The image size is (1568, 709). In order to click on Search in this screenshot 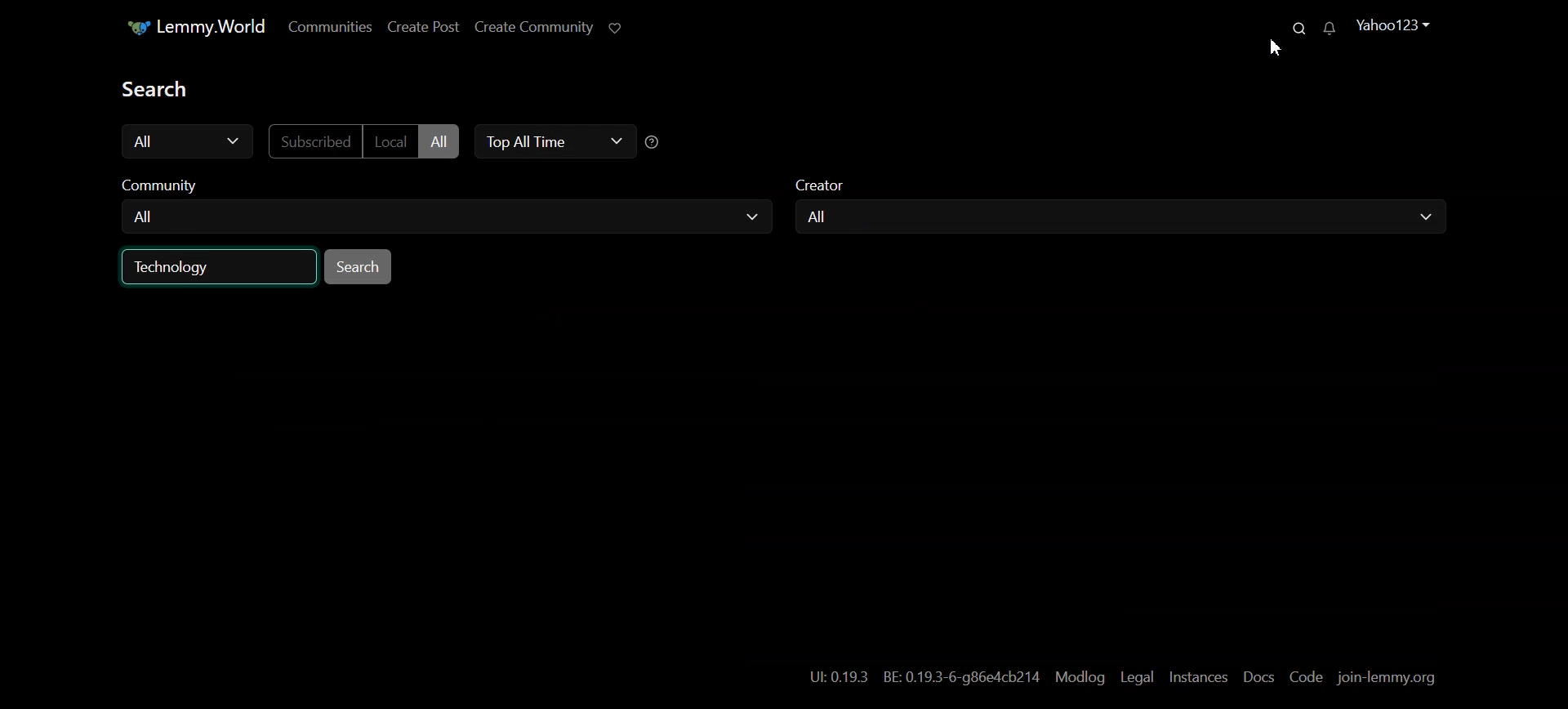, I will do `click(359, 266)`.